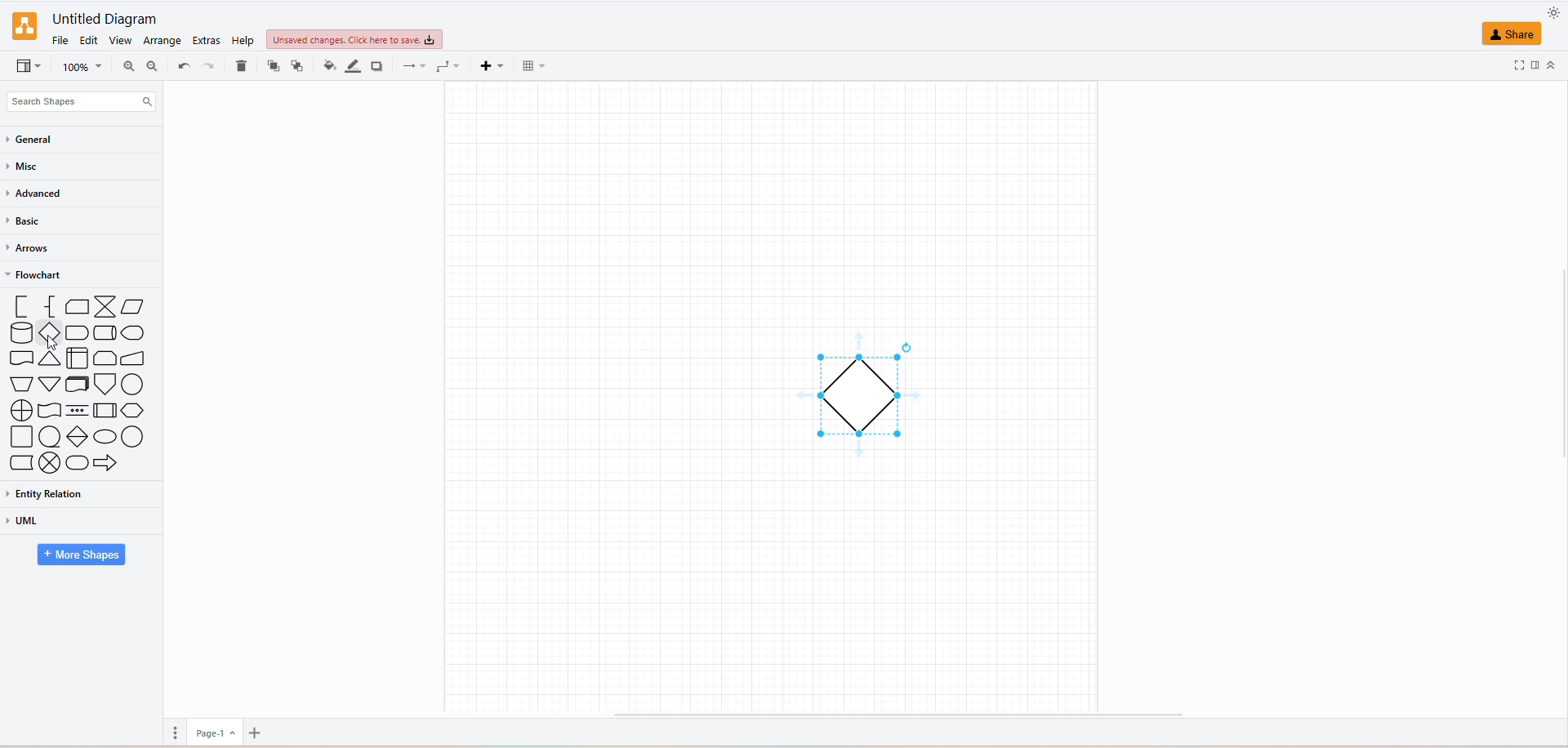 The height and width of the screenshot is (748, 1568). What do you see at coordinates (38, 277) in the screenshot?
I see `FLOWCHART` at bounding box center [38, 277].